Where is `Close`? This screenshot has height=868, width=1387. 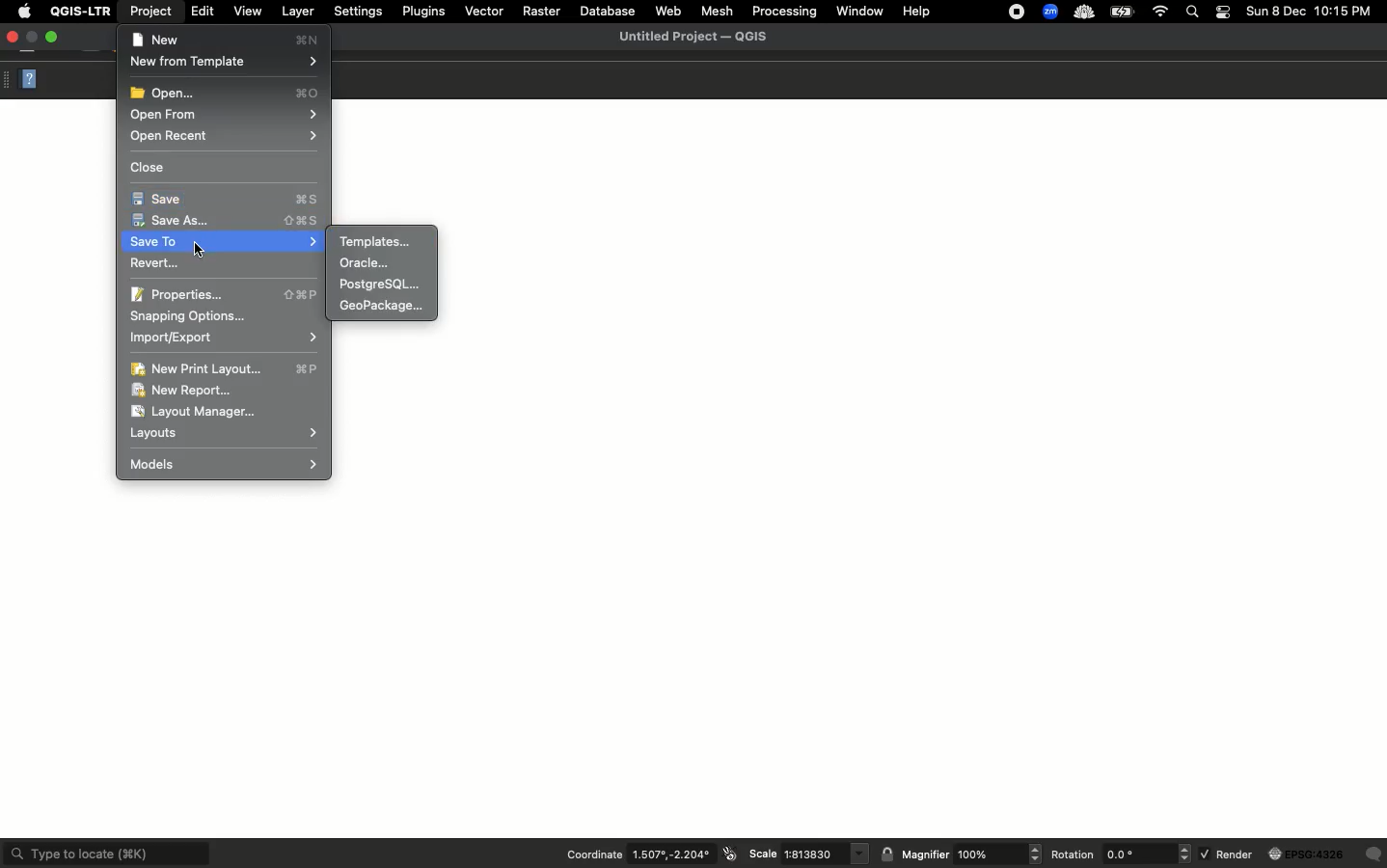 Close is located at coordinates (151, 167).